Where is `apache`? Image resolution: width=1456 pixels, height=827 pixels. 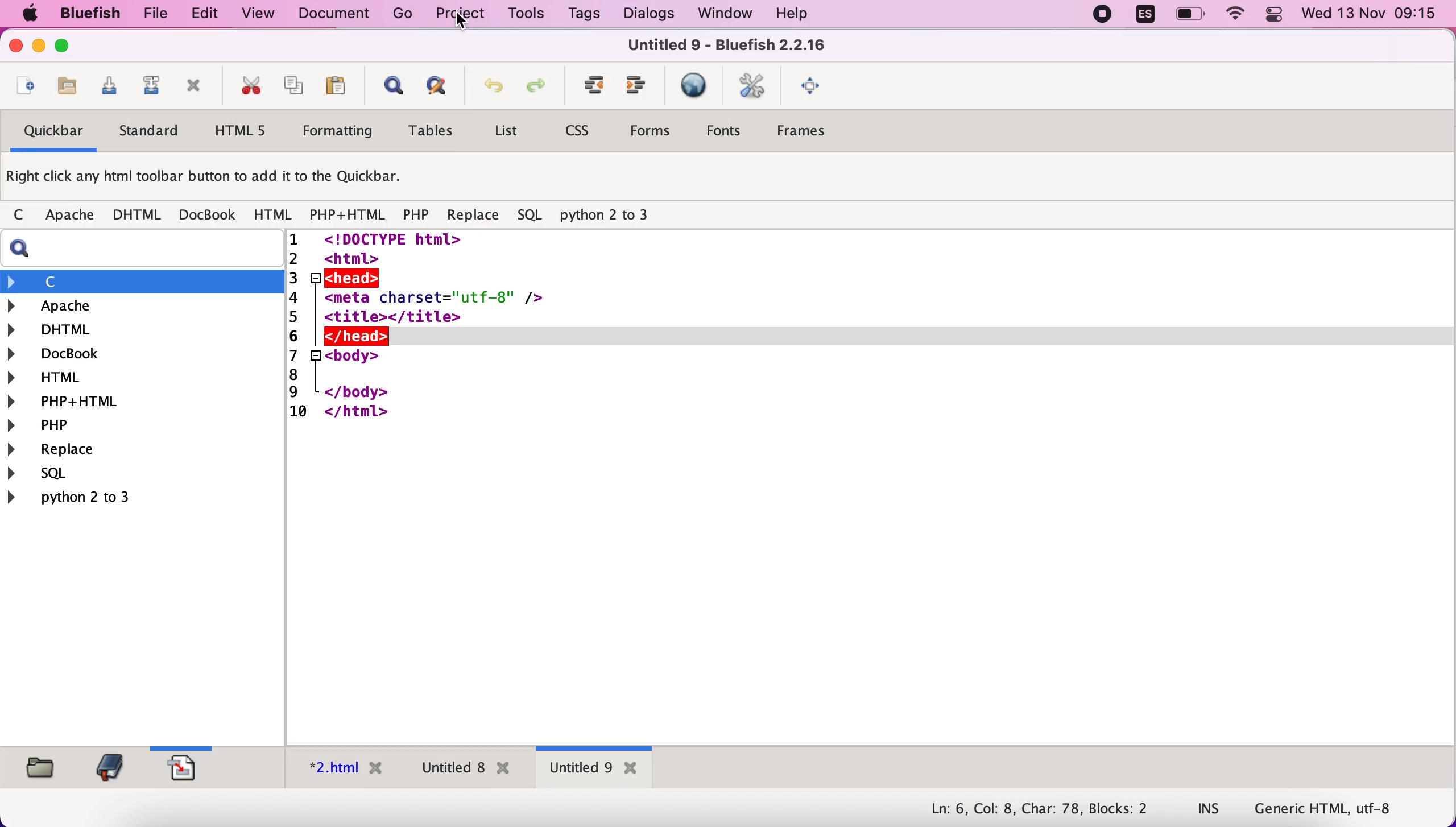
apache is located at coordinates (144, 306).